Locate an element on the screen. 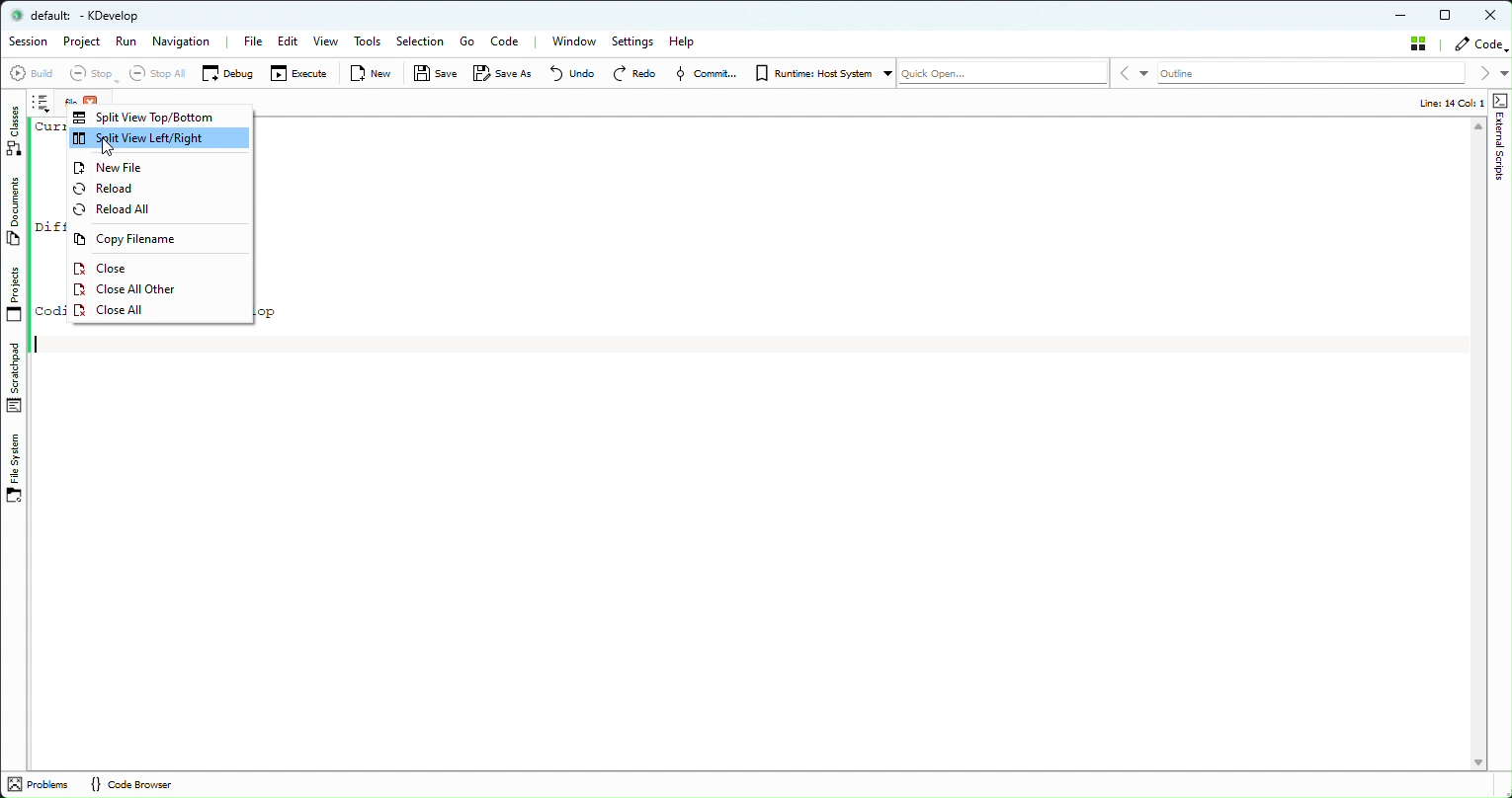 This screenshot has height=798, width=1512. File is located at coordinates (255, 42).